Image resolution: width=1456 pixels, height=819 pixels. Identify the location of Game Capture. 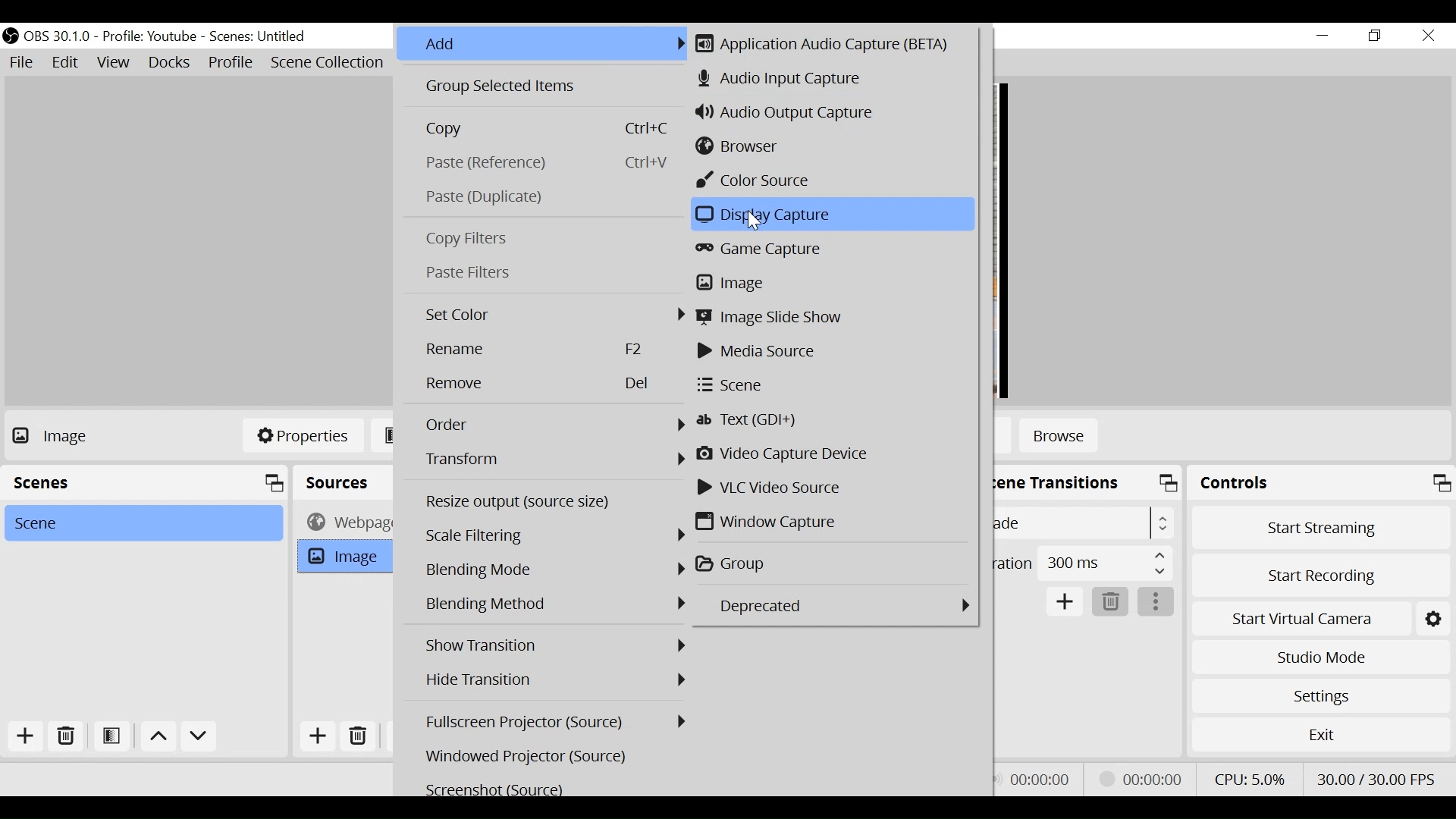
(831, 252).